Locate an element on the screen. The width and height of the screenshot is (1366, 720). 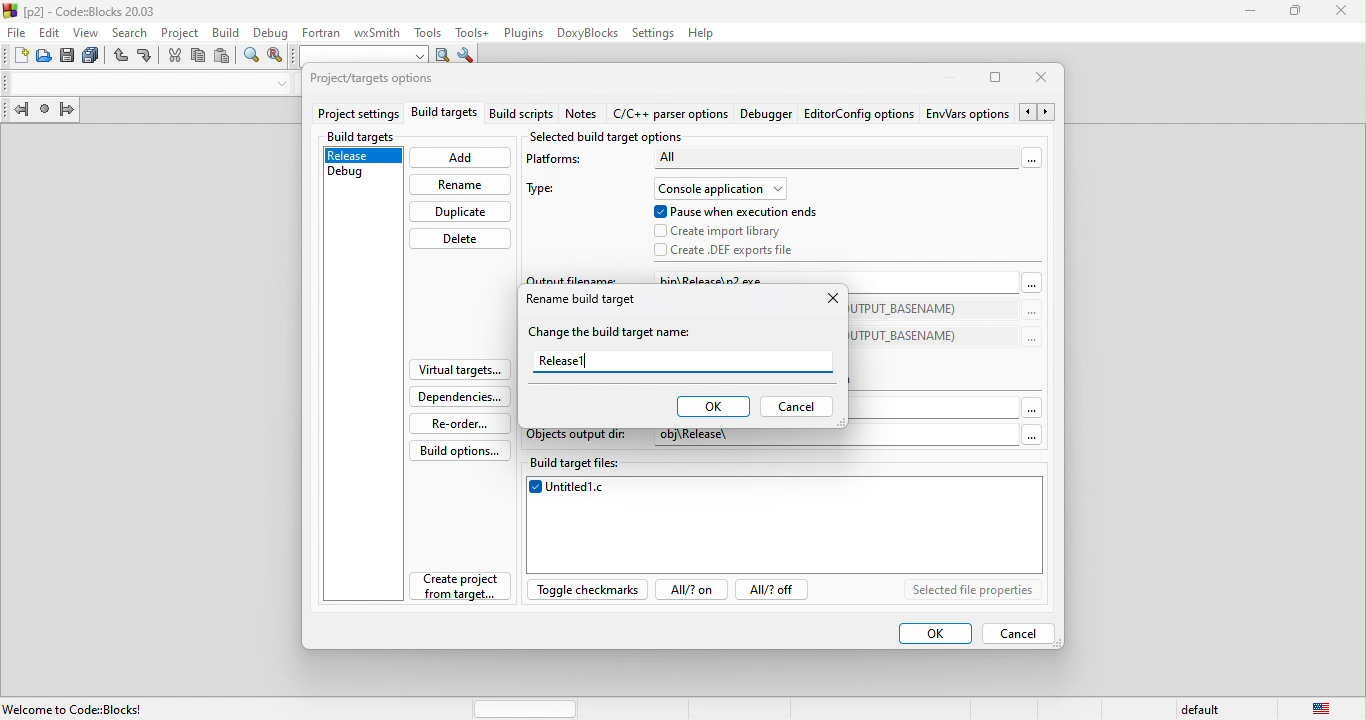
cut is located at coordinates (173, 56).